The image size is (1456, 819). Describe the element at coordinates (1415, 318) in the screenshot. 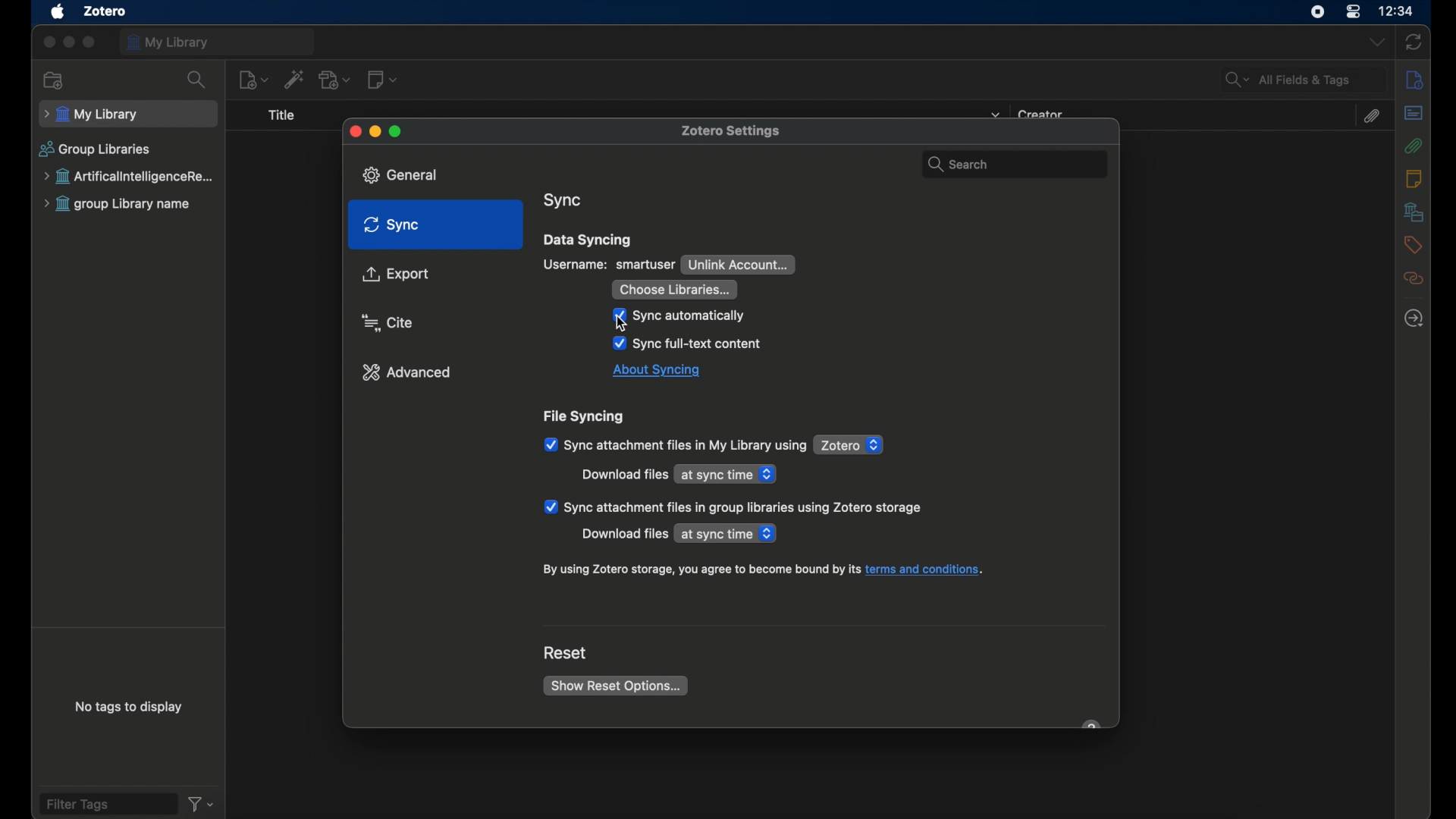

I see `locate` at that location.